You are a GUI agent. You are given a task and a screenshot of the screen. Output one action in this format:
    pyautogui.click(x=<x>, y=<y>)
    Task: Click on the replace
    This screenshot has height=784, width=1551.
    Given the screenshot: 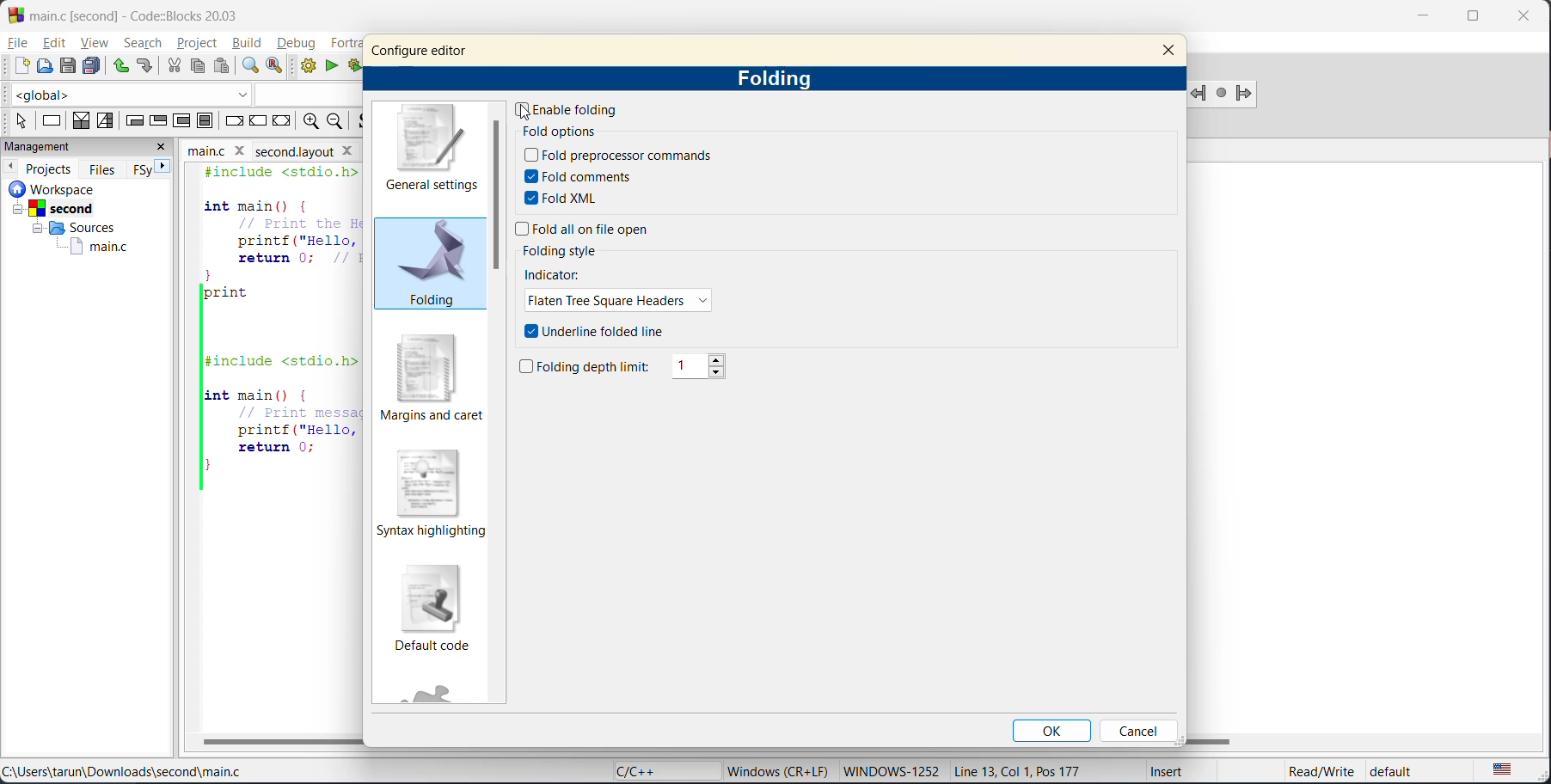 What is the action you would take?
    pyautogui.click(x=280, y=68)
    